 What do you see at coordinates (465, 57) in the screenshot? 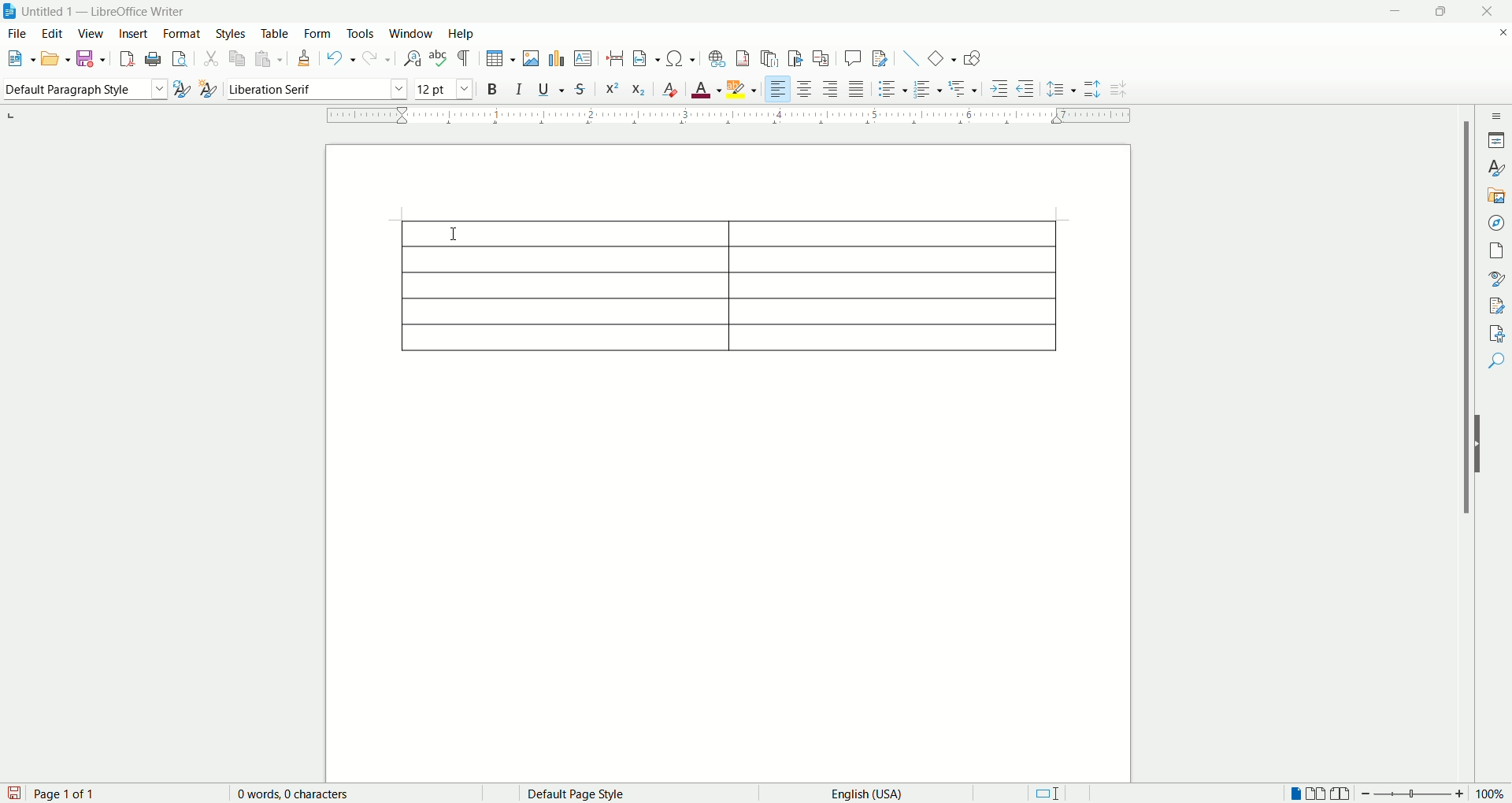
I see `formatting mask` at bounding box center [465, 57].